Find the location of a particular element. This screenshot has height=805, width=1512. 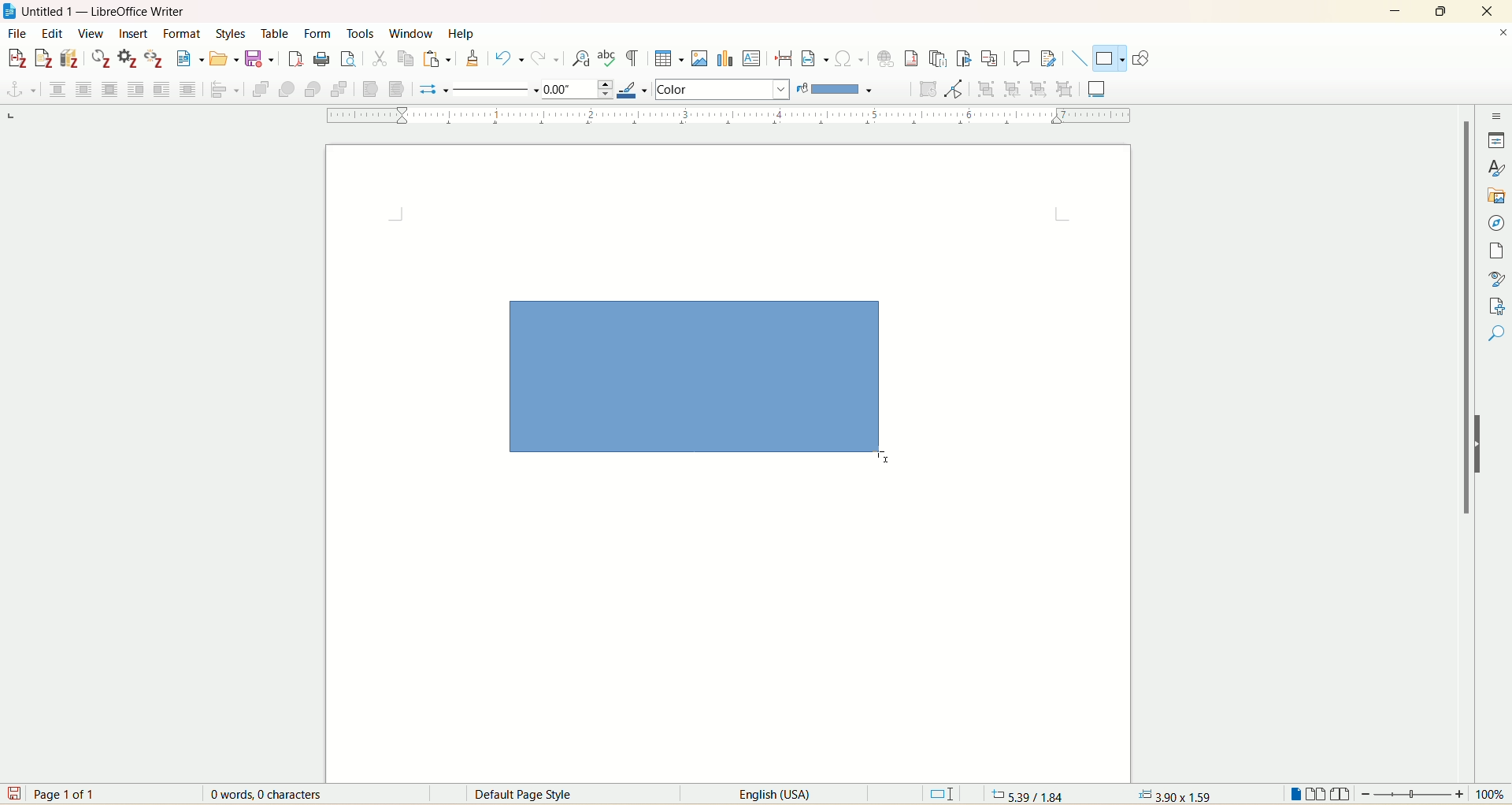

add note is located at coordinates (43, 59).